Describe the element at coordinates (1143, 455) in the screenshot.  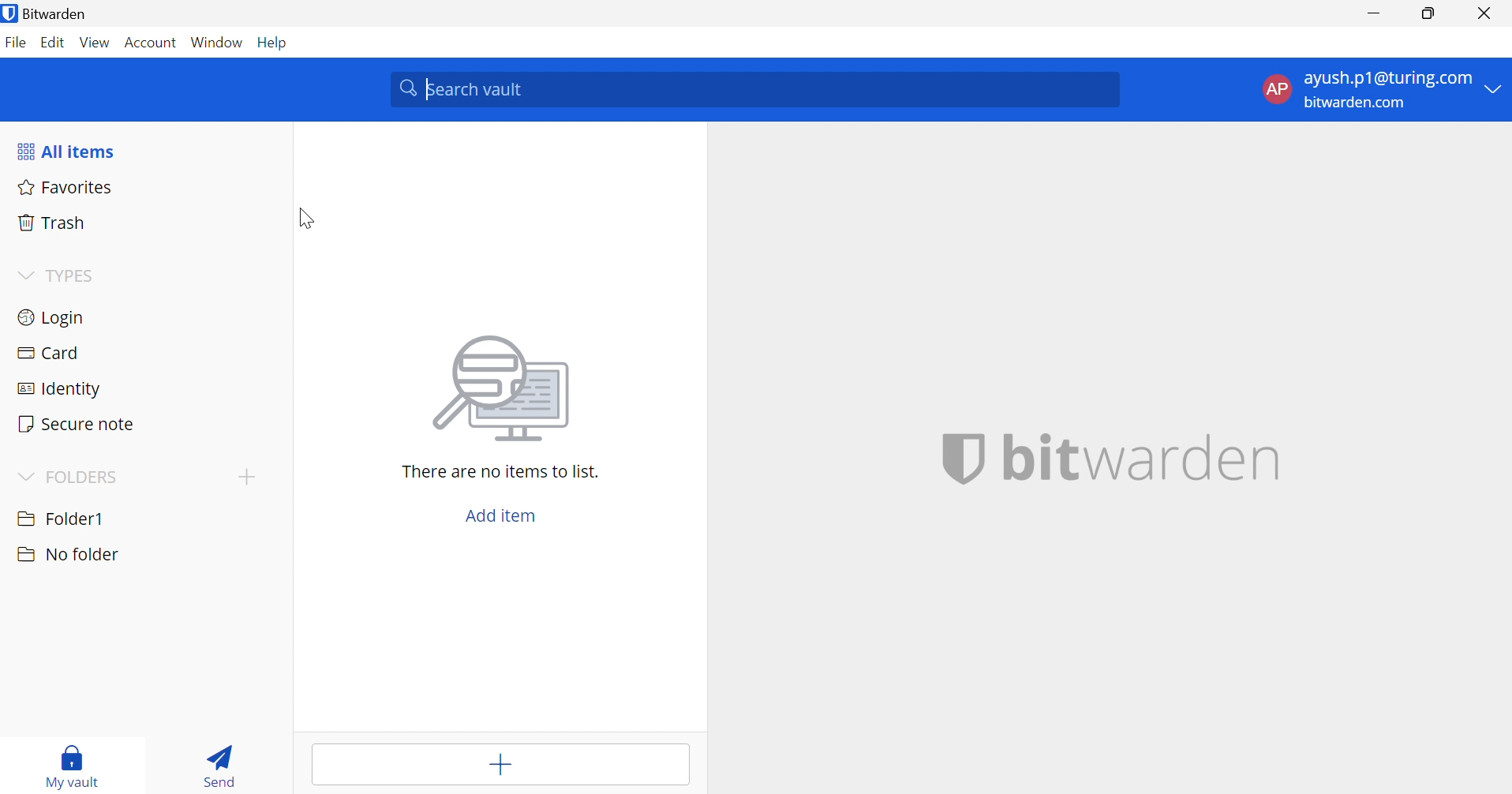
I see `bitwarden` at that location.